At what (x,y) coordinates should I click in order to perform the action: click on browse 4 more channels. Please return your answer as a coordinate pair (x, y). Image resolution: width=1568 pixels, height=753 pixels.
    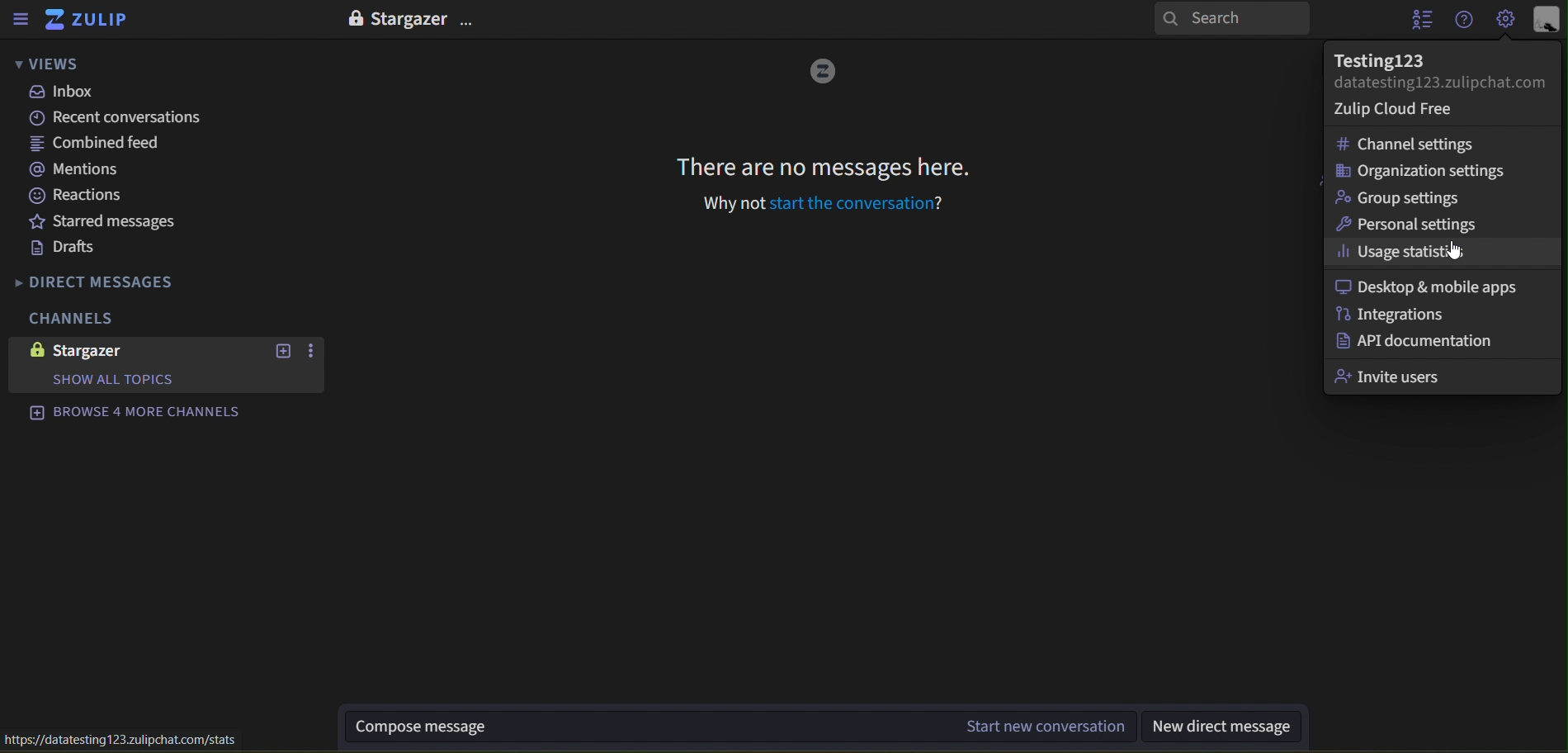
    Looking at the image, I should click on (150, 413).